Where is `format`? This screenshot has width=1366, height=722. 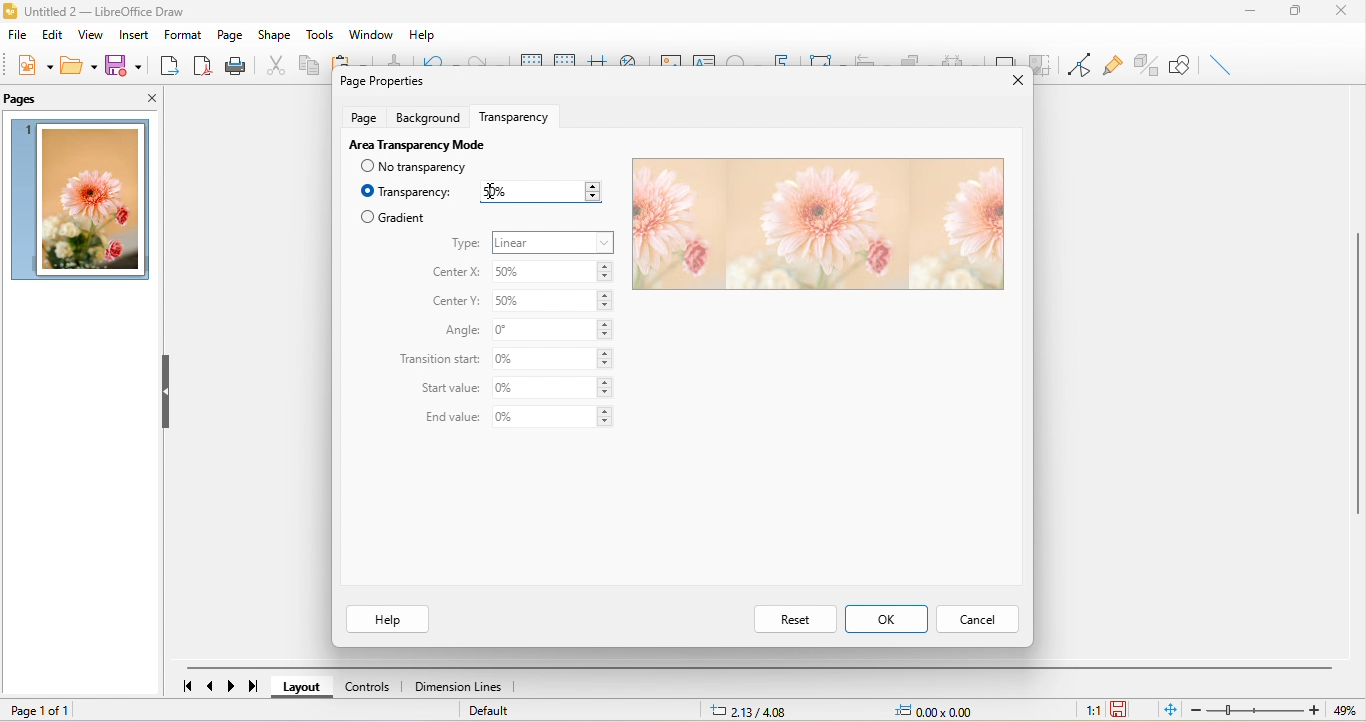 format is located at coordinates (184, 34).